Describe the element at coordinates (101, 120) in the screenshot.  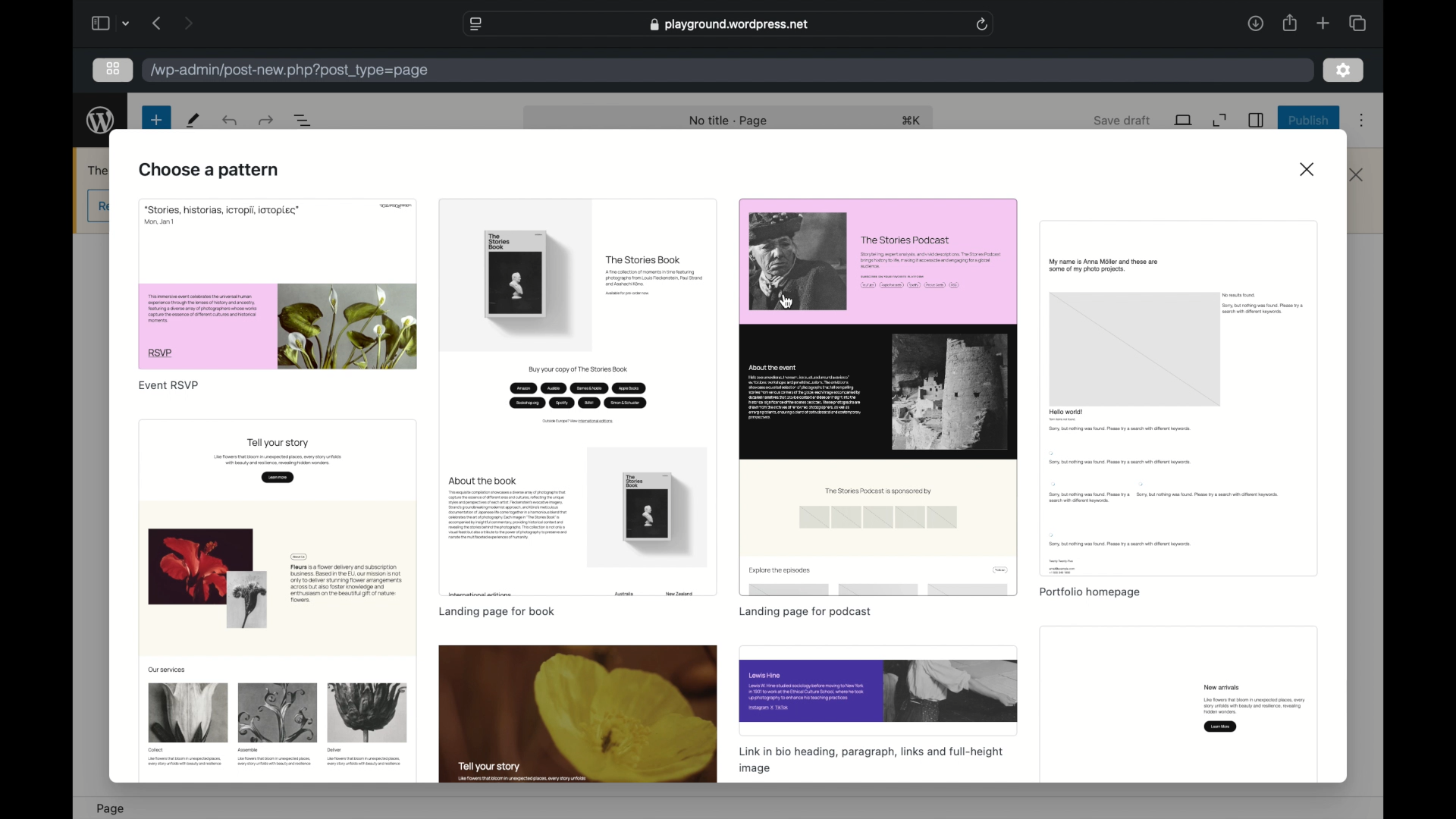
I see `wordpress` at that location.